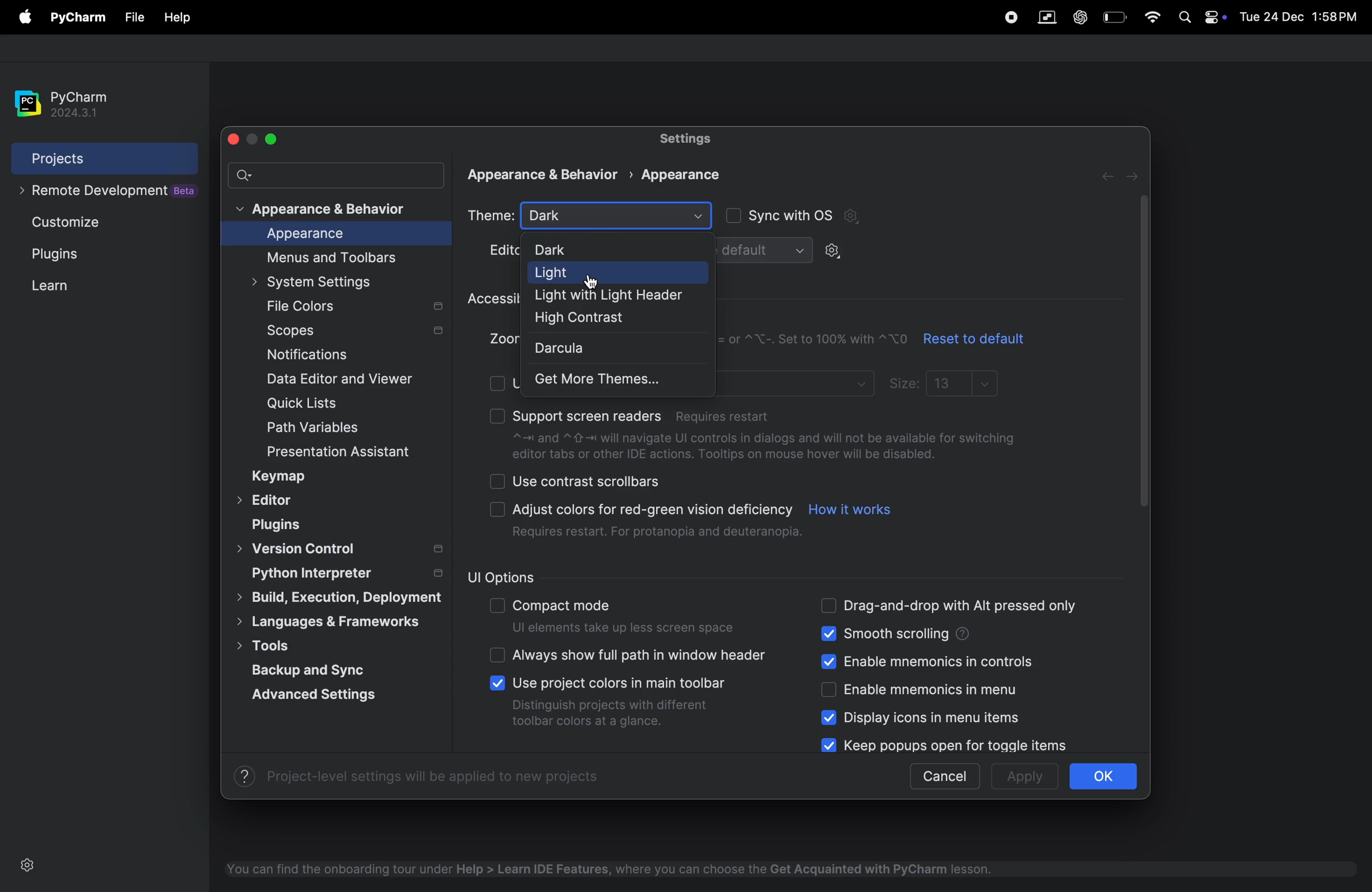 This screenshot has width=1372, height=892. What do you see at coordinates (717, 175) in the screenshot?
I see `appearance` at bounding box center [717, 175].